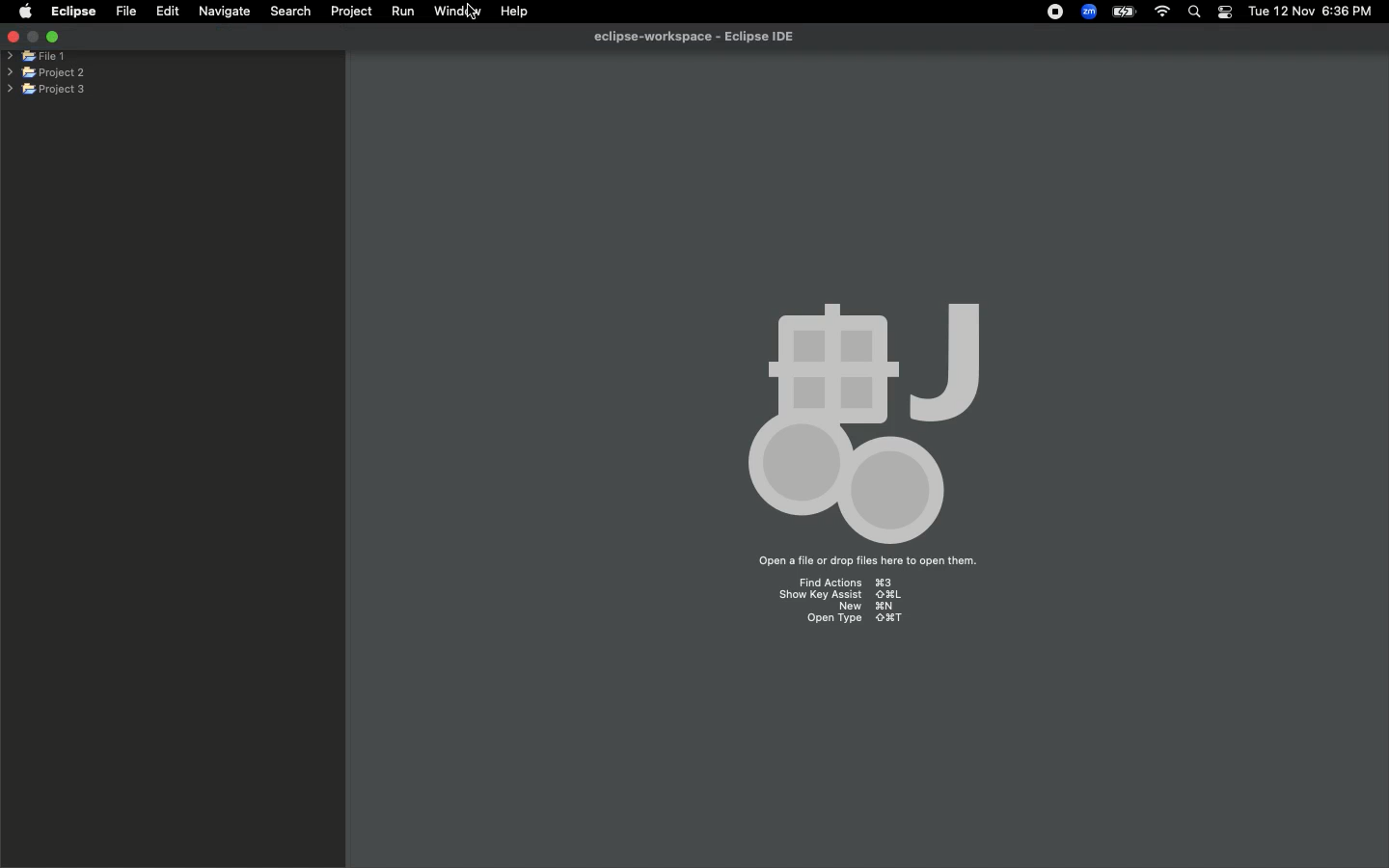 Image resolution: width=1389 pixels, height=868 pixels. What do you see at coordinates (72, 12) in the screenshot?
I see `Eclipse` at bounding box center [72, 12].